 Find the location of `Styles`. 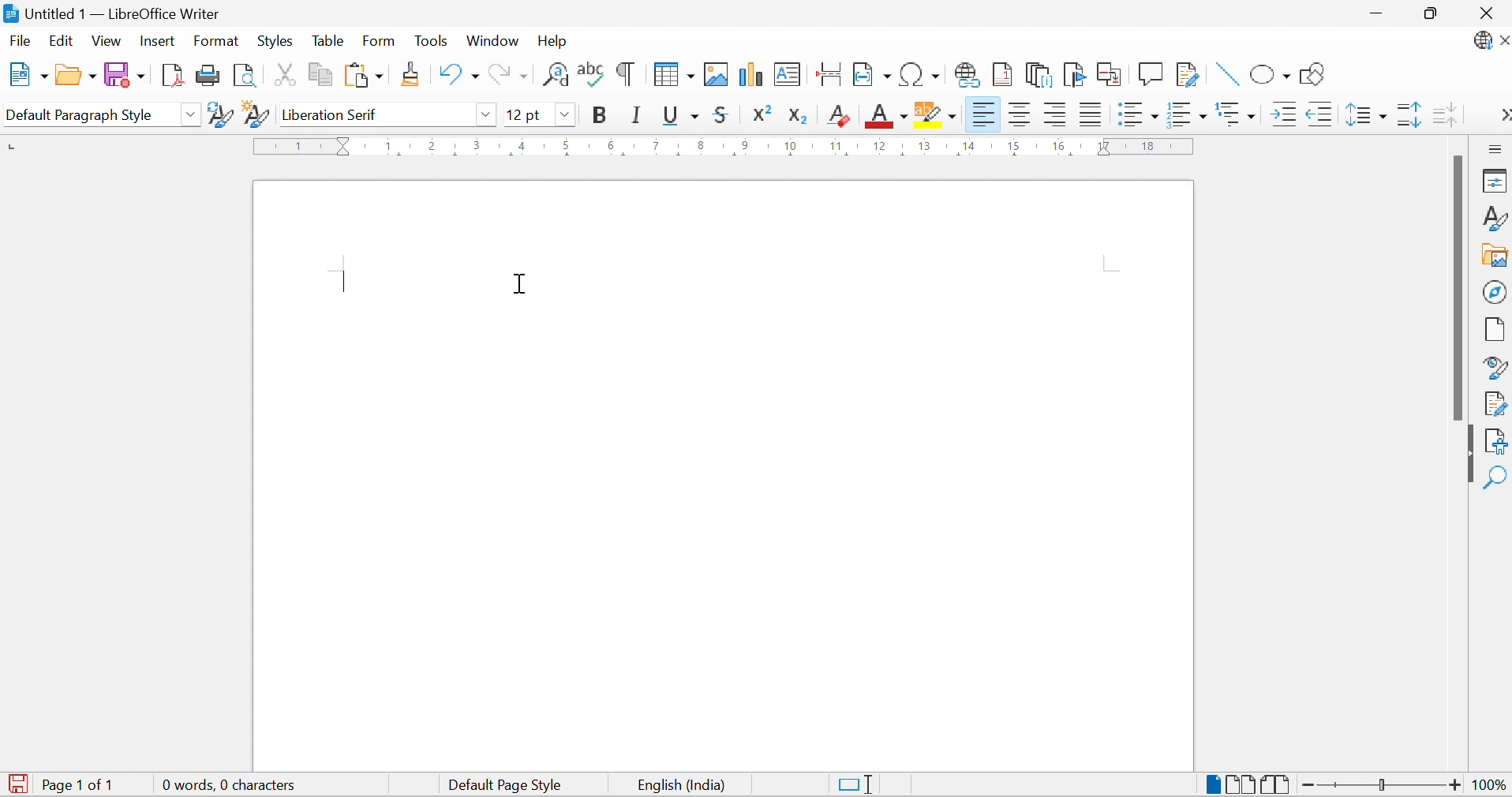

Styles is located at coordinates (274, 40).